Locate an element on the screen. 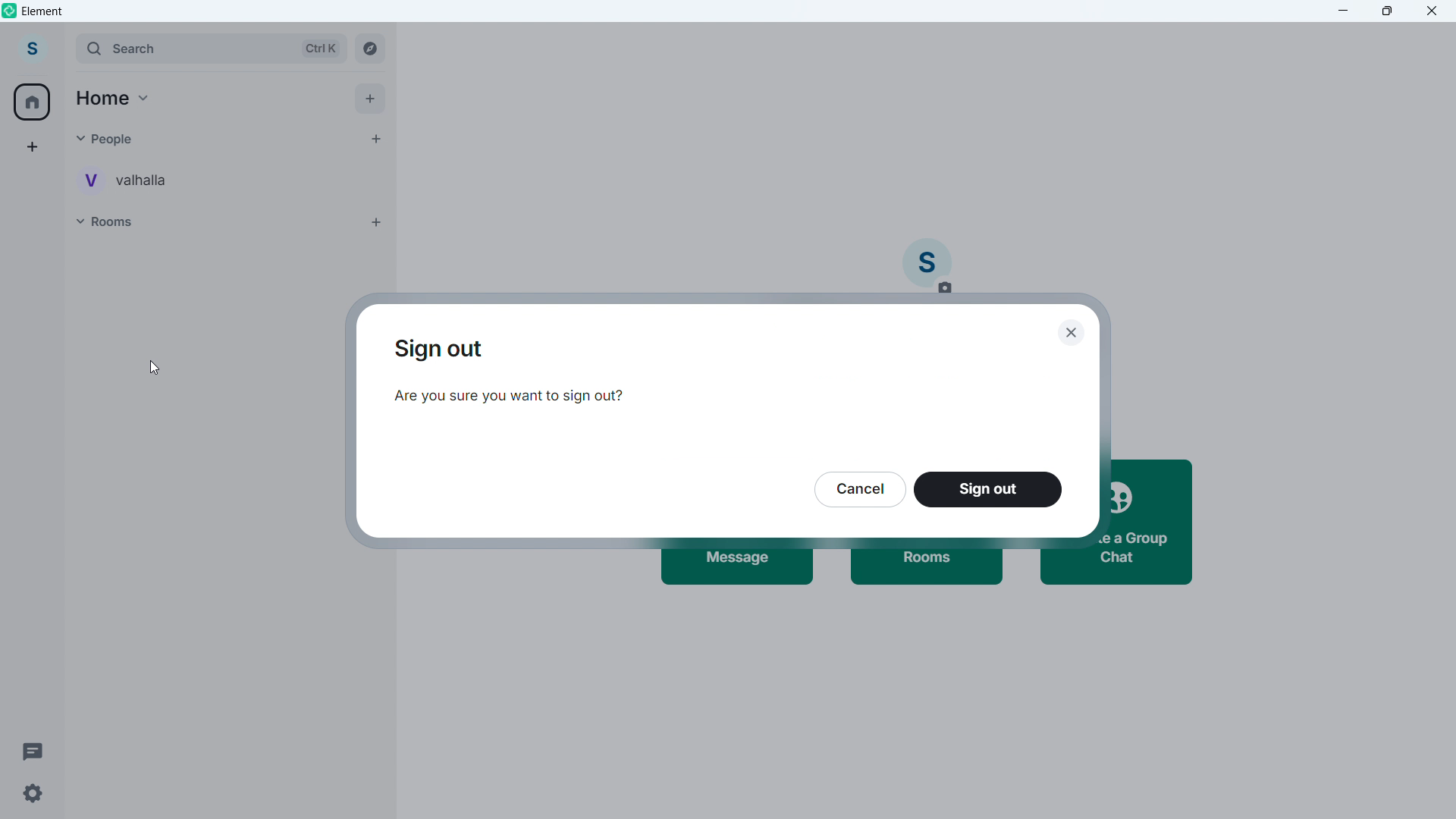  Personal room  is located at coordinates (125, 180).